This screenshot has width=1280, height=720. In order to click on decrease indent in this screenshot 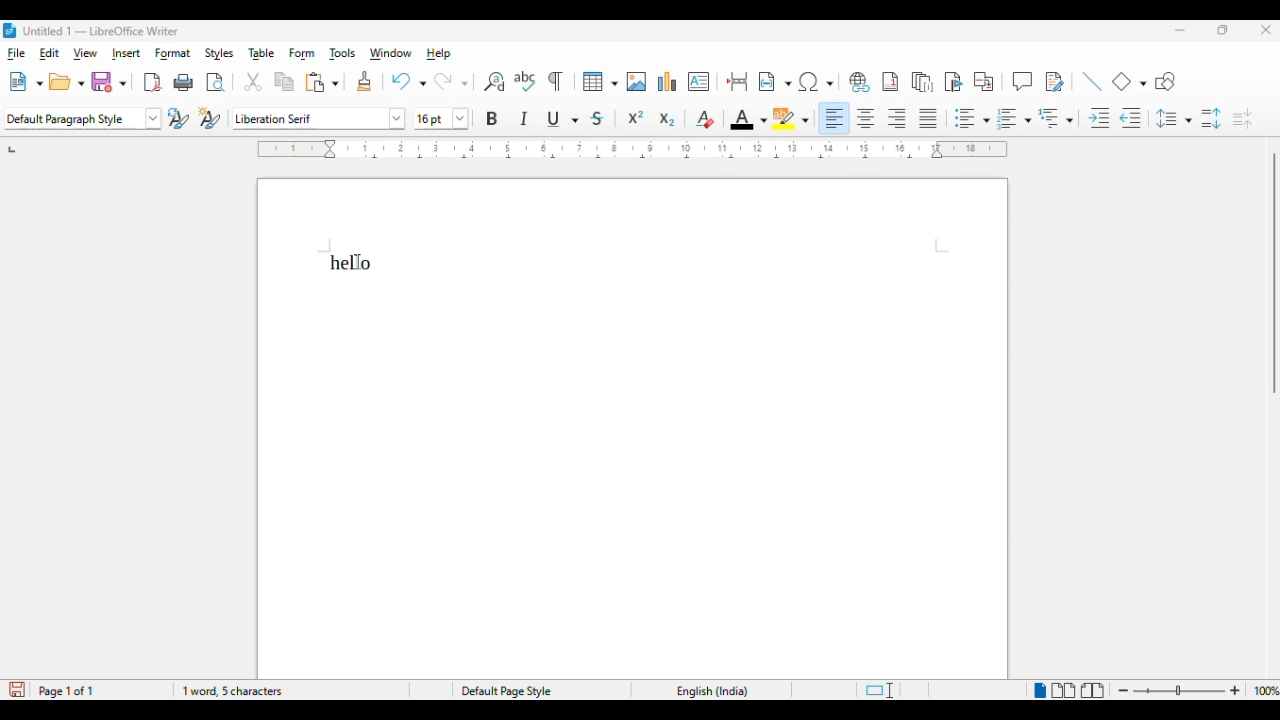, I will do `click(1132, 119)`.